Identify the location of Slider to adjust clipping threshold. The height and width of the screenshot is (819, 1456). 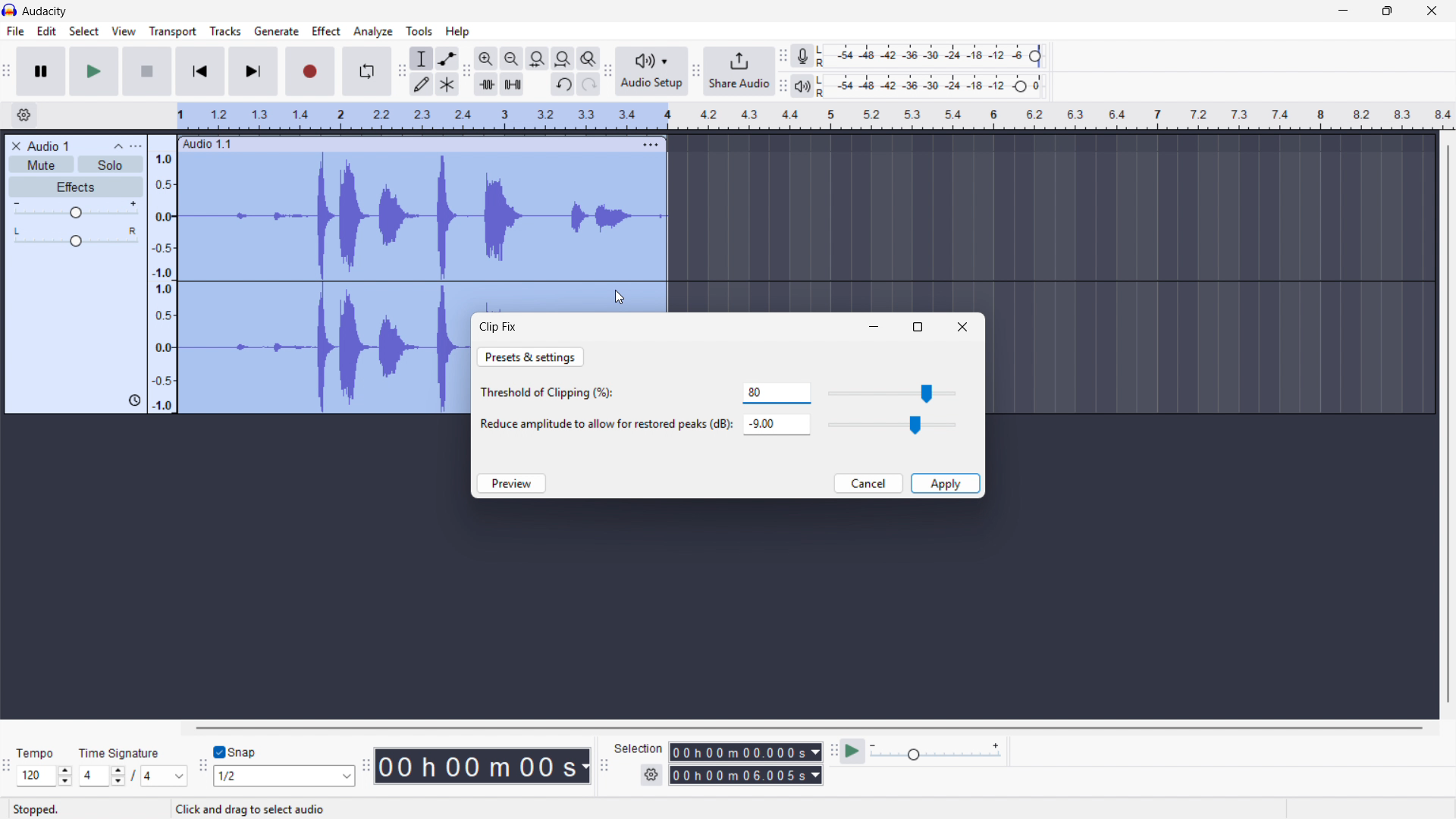
(894, 393).